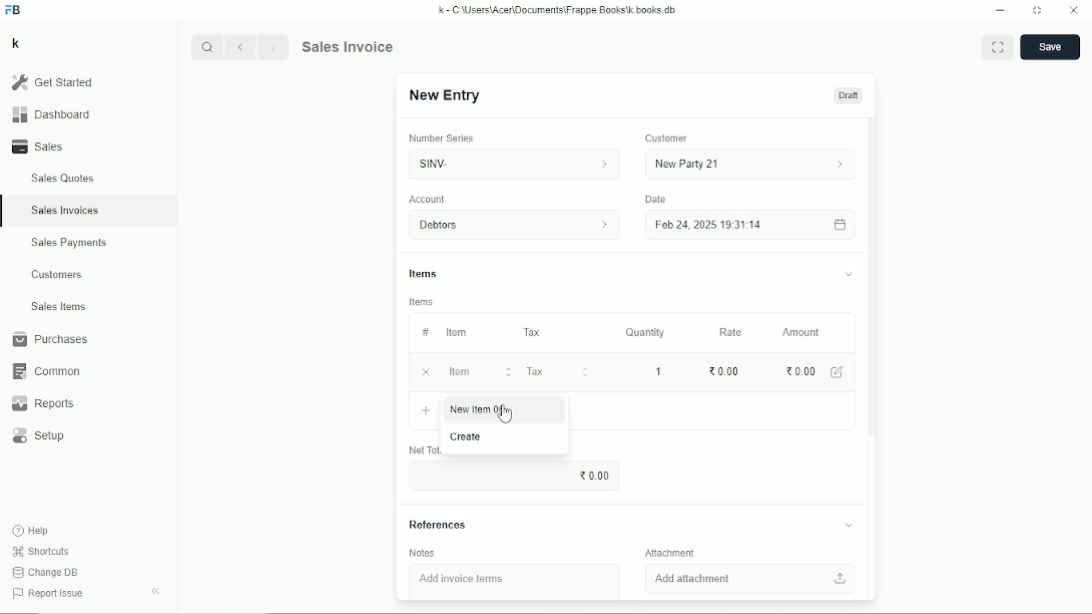 This screenshot has height=614, width=1092. Describe the element at coordinates (752, 225) in the screenshot. I see `Feb 24, 2025 19:31:14` at that location.